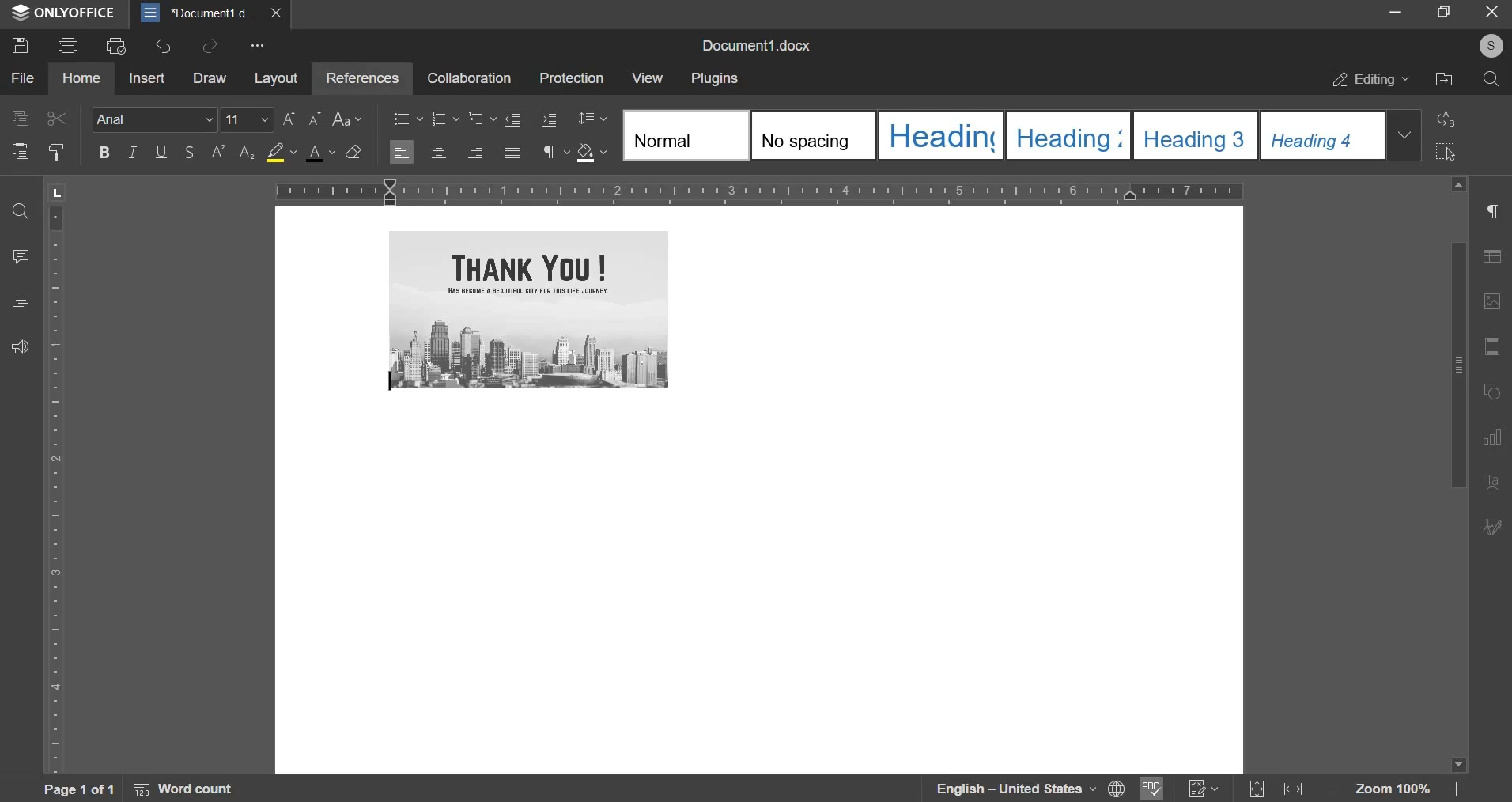  I want to click on comment, so click(22, 255).